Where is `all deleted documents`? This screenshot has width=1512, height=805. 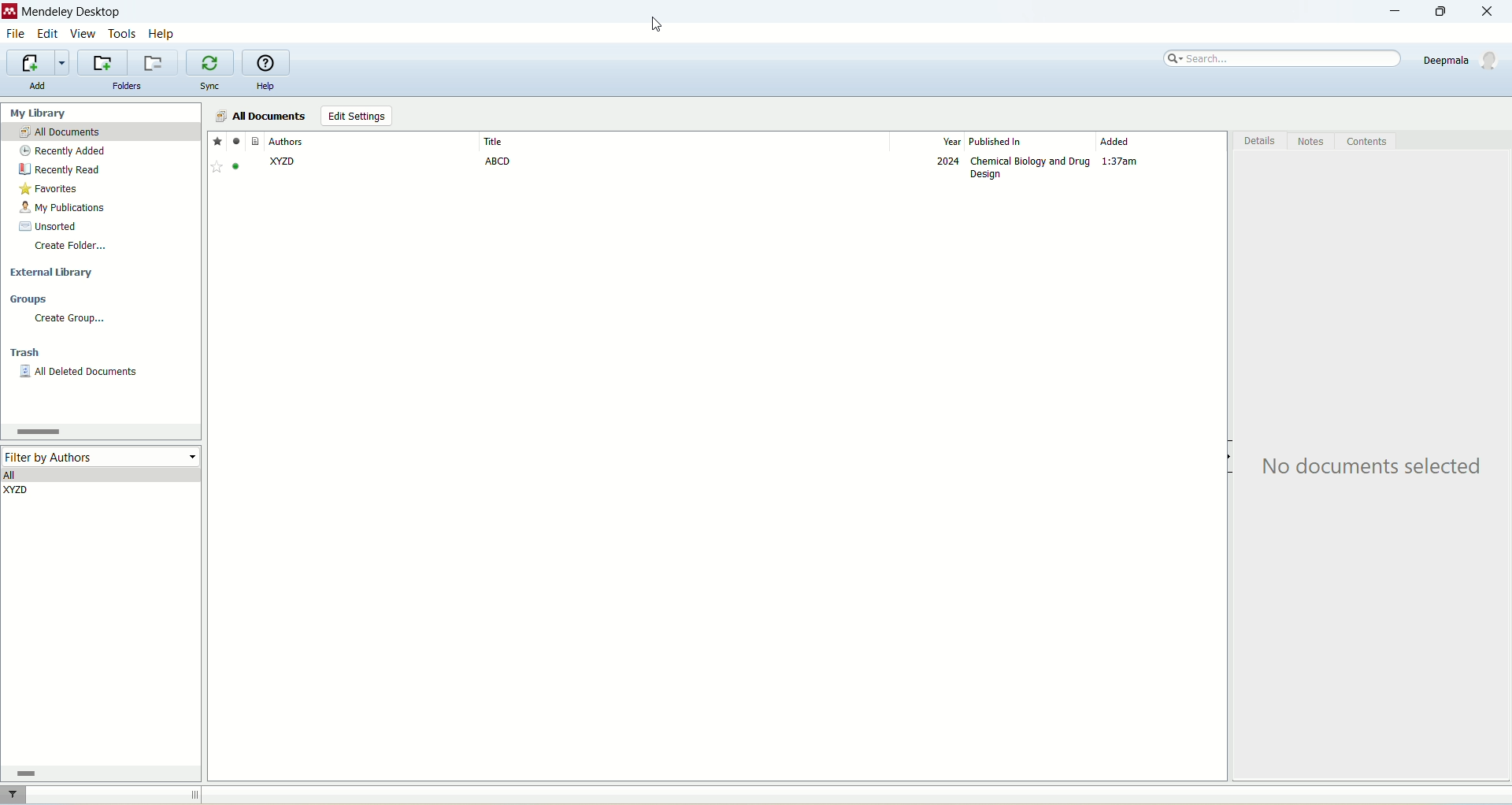
all deleted documents is located at coordinates (78, 372).